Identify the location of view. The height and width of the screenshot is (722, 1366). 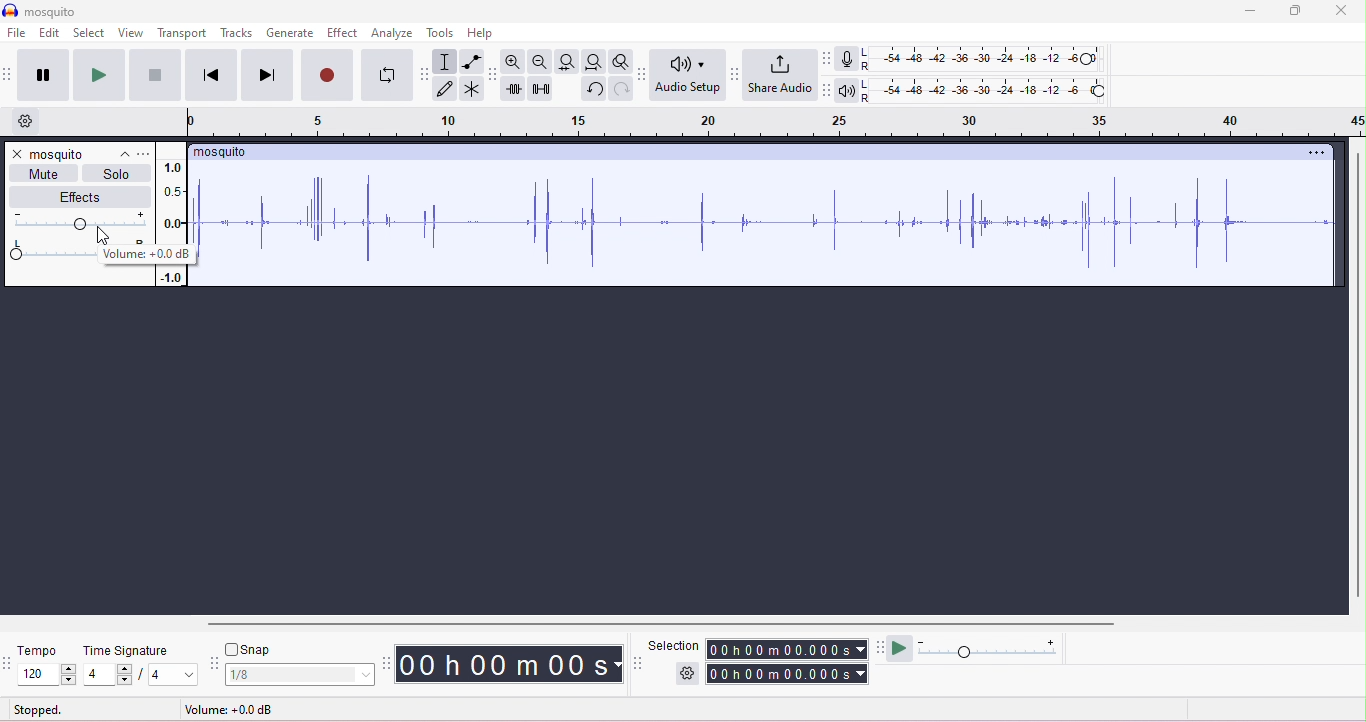
(131, 32).